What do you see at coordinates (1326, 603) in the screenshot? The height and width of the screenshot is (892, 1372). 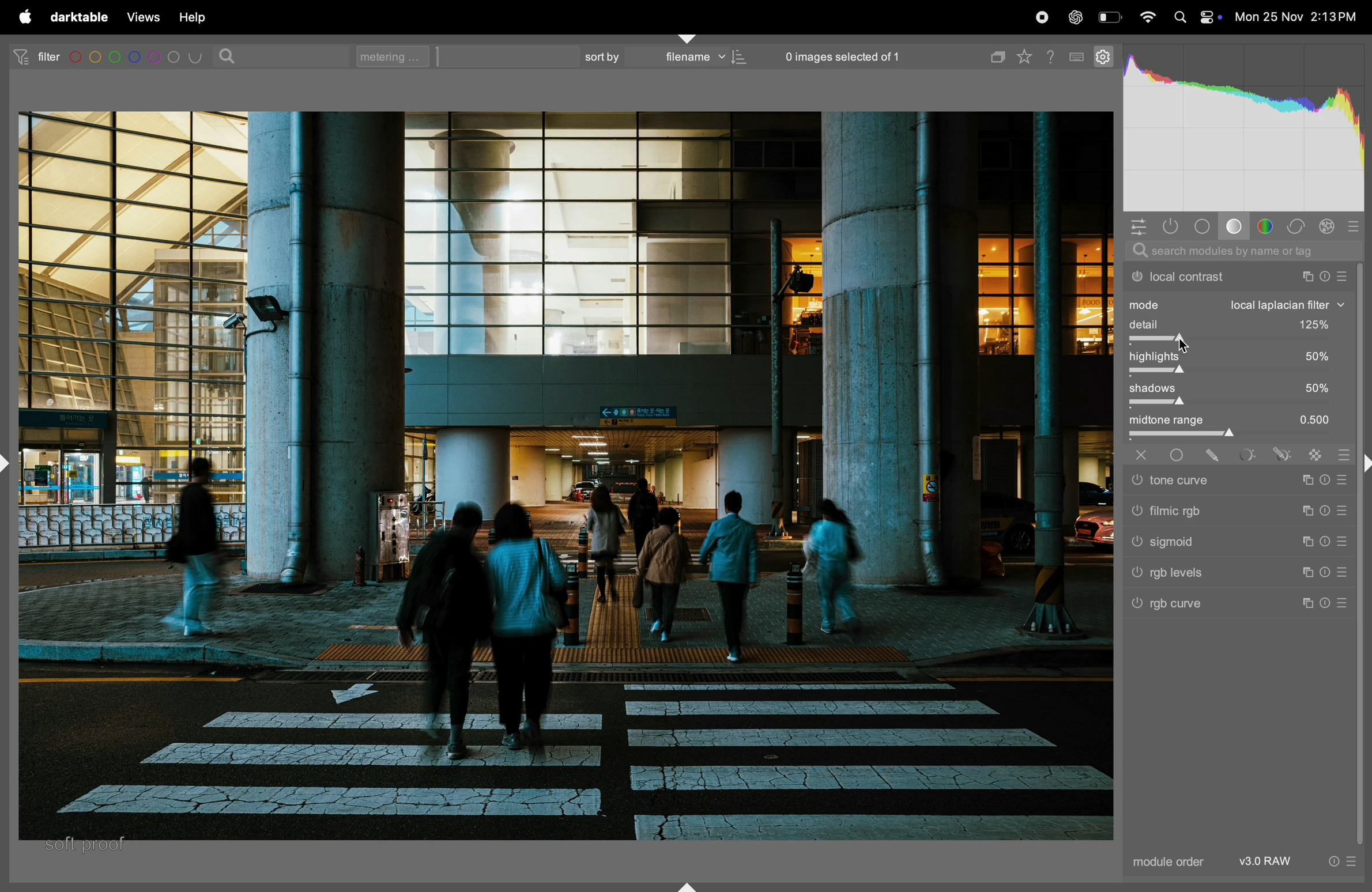 I see `reset` at bounding box center [1326, 603].